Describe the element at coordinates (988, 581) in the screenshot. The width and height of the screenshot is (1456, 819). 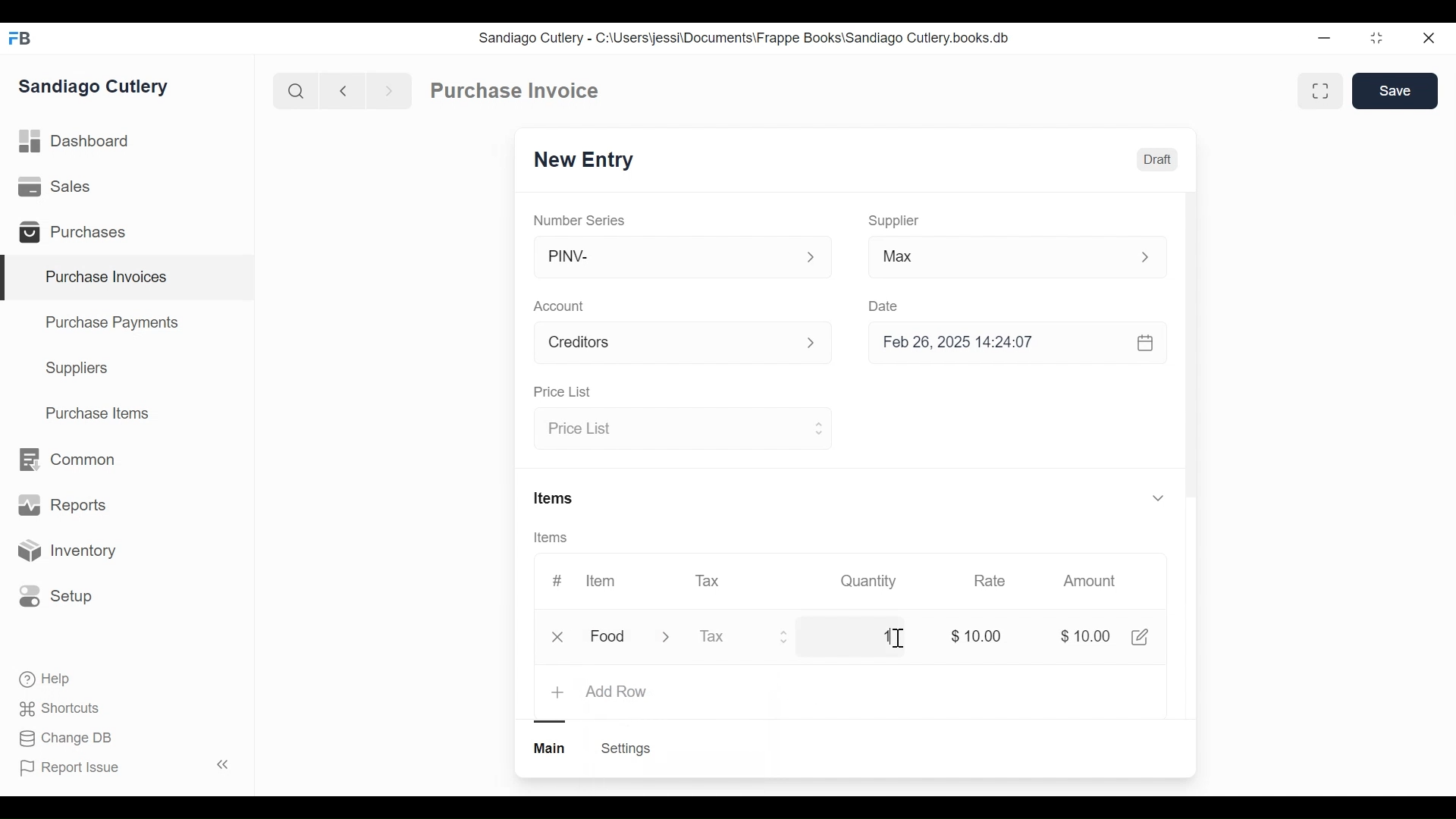
I see `Rate` at that location.